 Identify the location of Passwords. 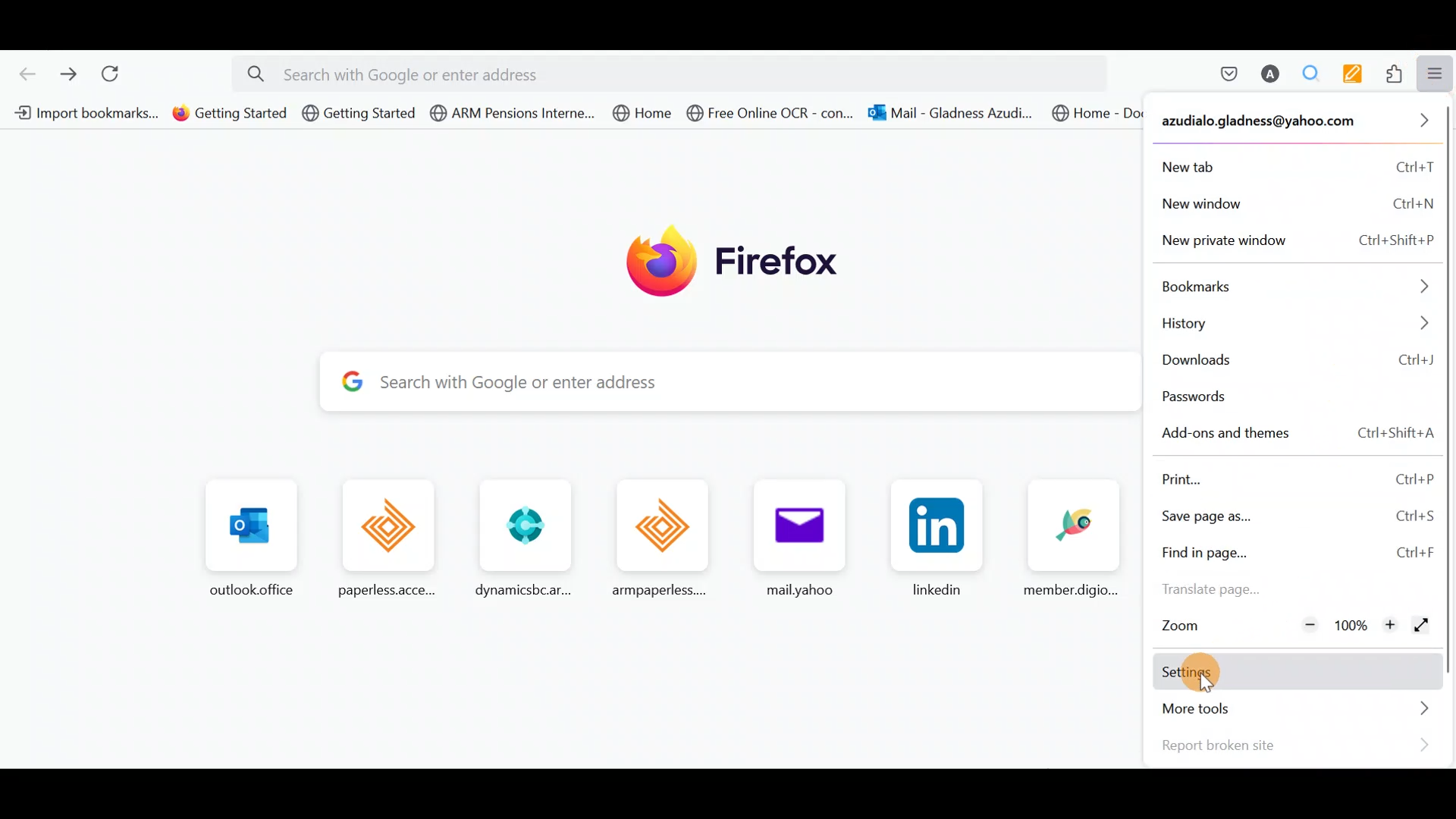
(1198, 397).